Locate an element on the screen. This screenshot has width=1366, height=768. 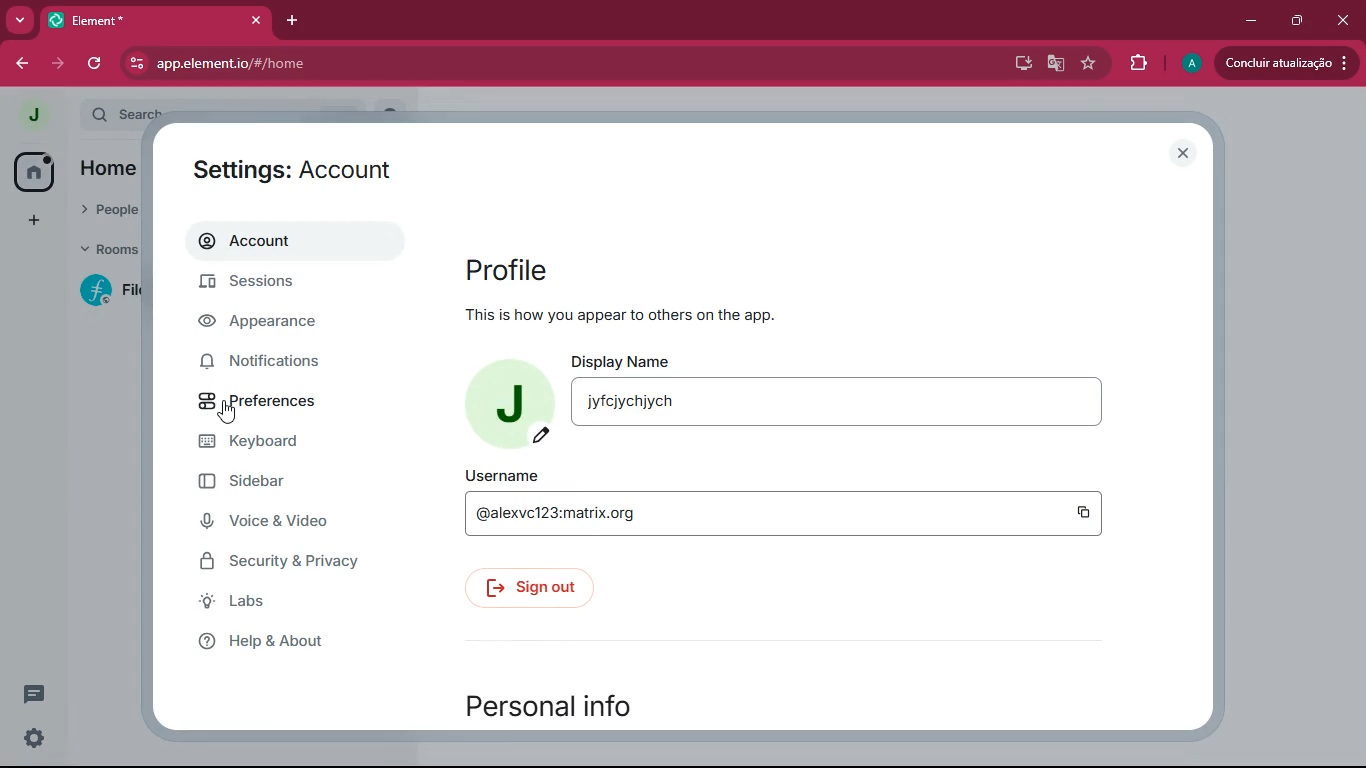
security & Privacy is located at coordinates (310, 563).